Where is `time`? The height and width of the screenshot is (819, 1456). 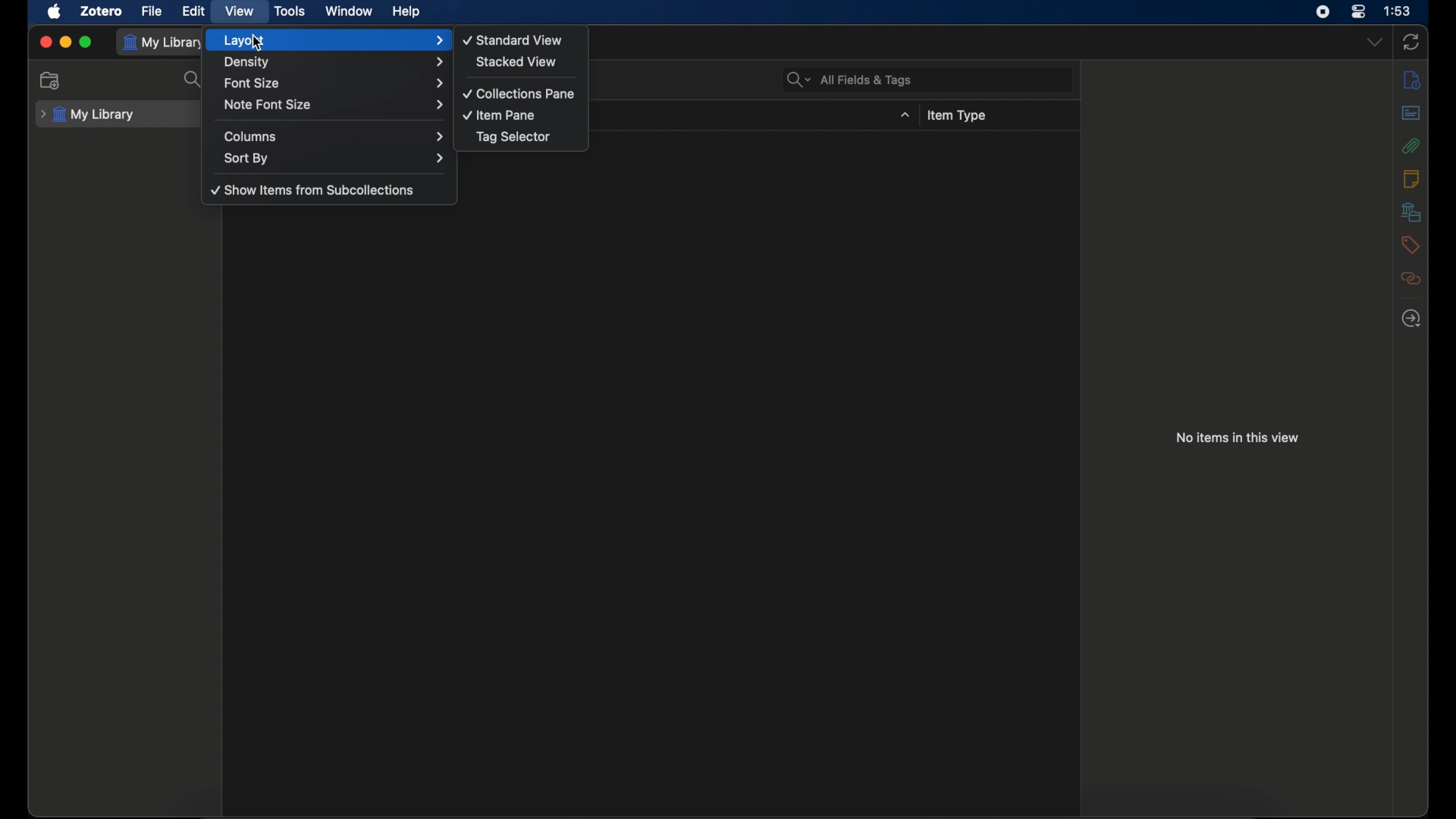
time is located at coordinates (1397, 10).